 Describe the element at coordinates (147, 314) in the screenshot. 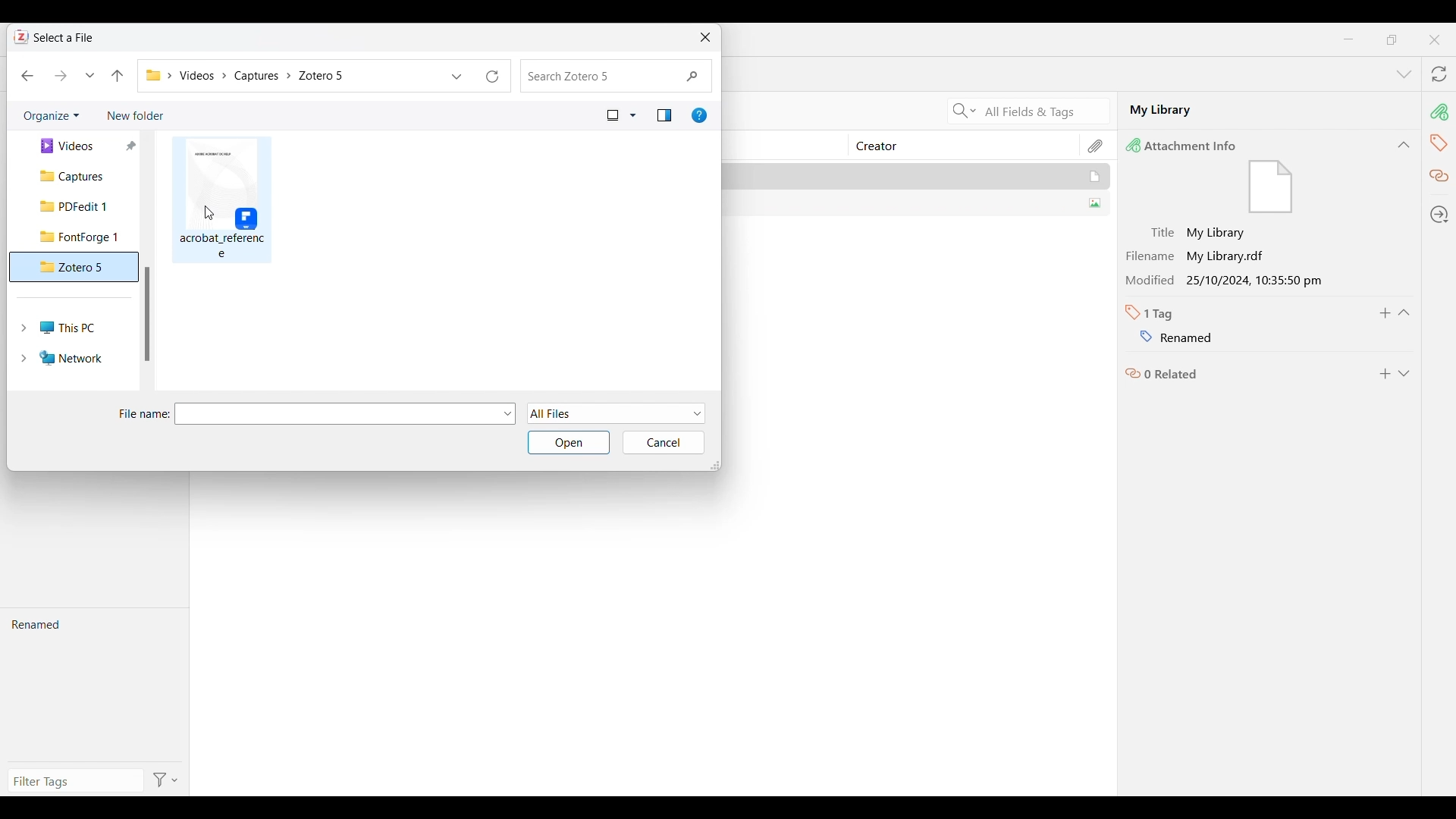

I see `Vertical slide bar` at that location.